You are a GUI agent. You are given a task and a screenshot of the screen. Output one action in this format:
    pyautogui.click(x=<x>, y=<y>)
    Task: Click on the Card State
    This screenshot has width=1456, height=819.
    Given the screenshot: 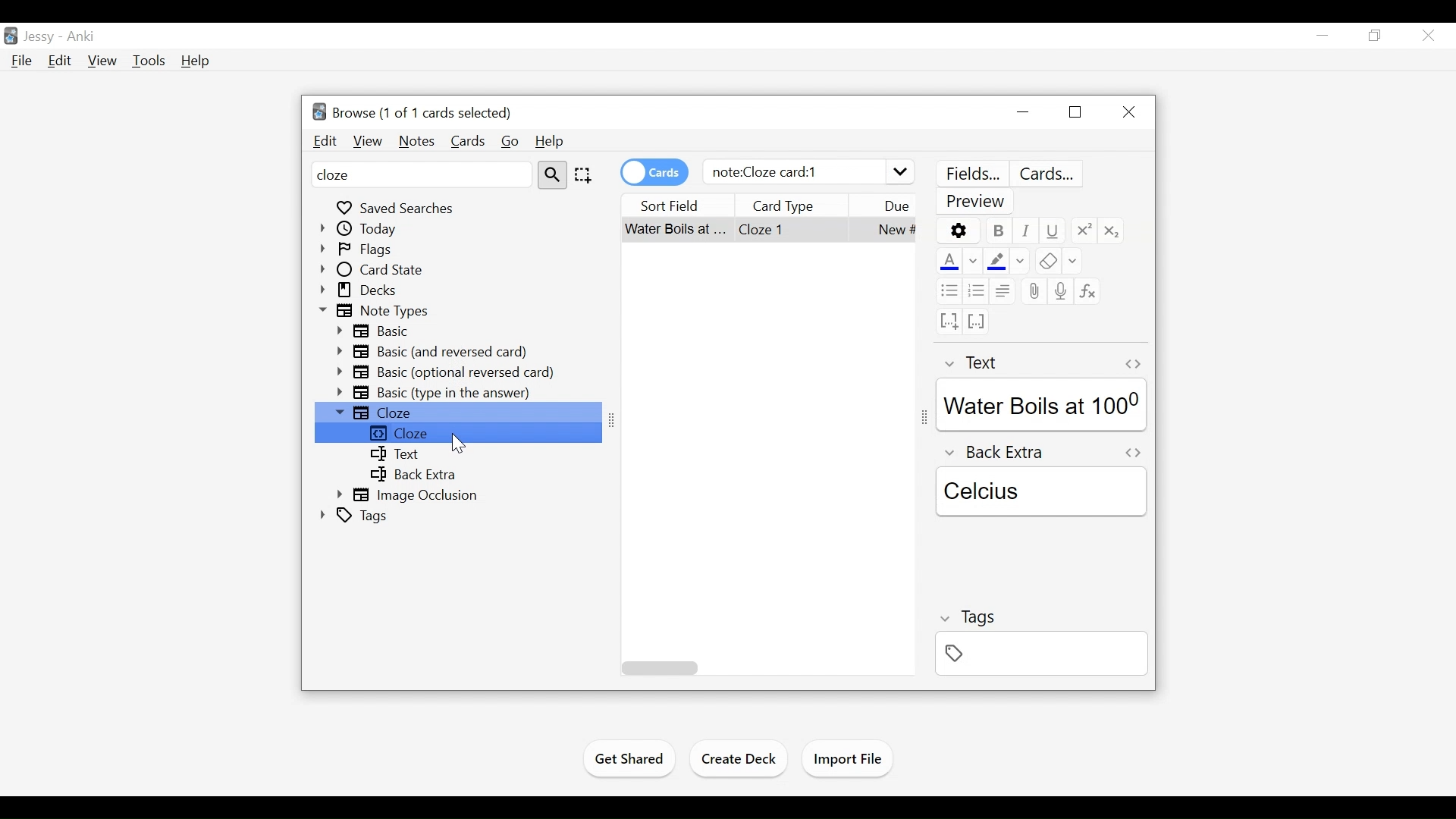 What is the action you would take?
    pyautogui.click(x=381, y=270)
    